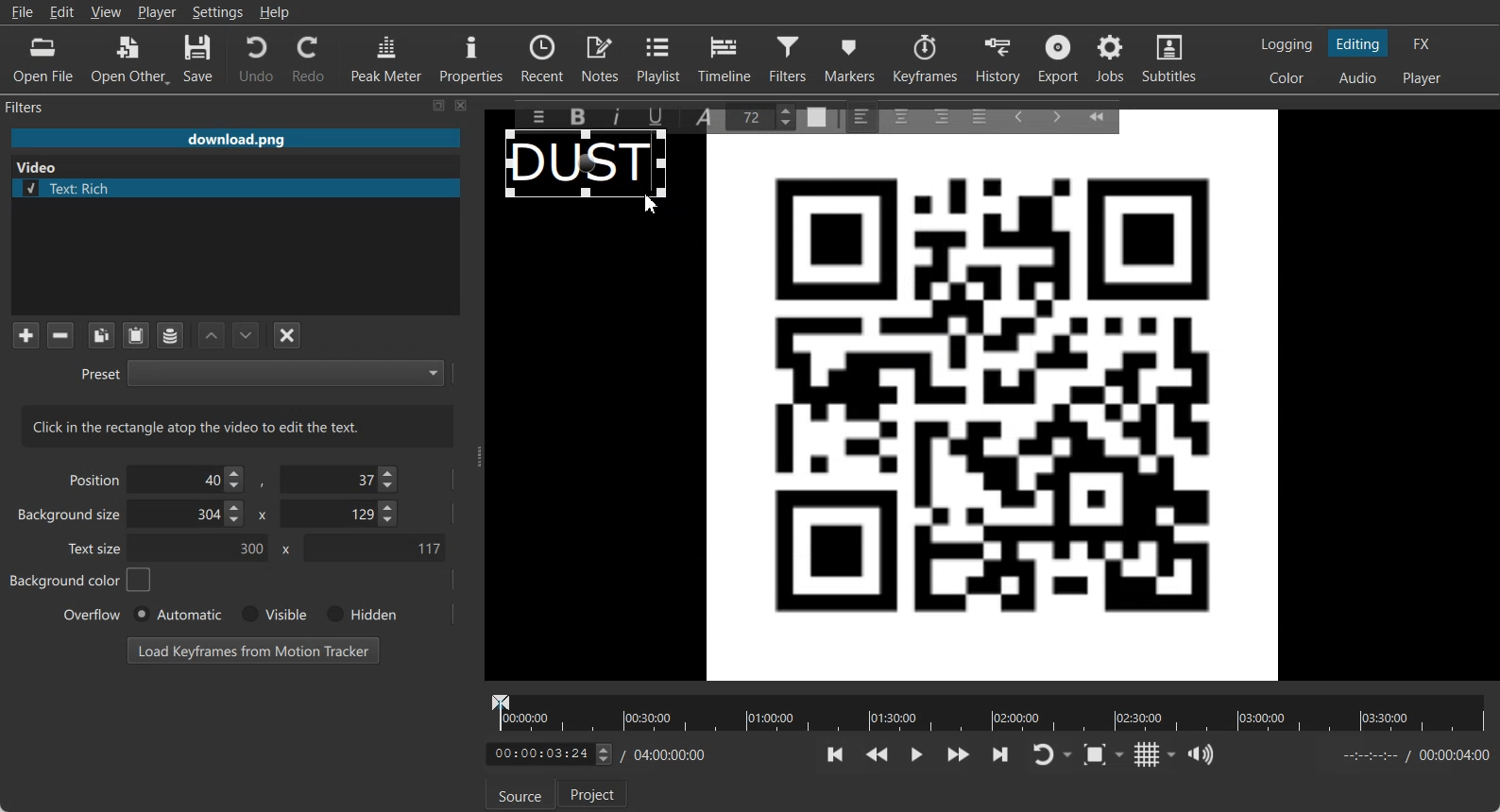 The image size is (1500, 812). What do you see at coordinates (725, 58) in the screenshot?
I see `Timeline` at bounding box center [725, 58].